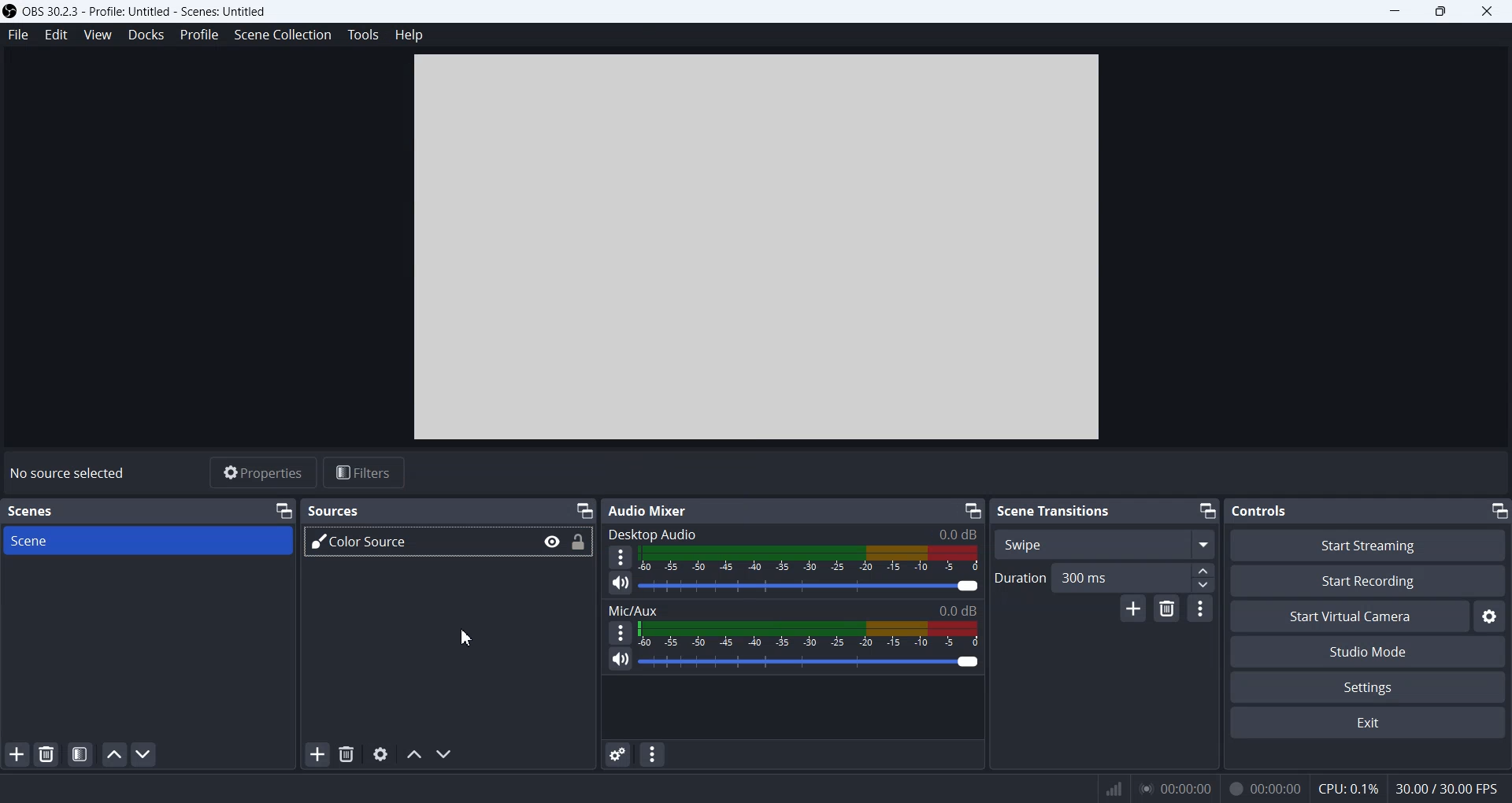  I want to click on More, so click(620, 632).